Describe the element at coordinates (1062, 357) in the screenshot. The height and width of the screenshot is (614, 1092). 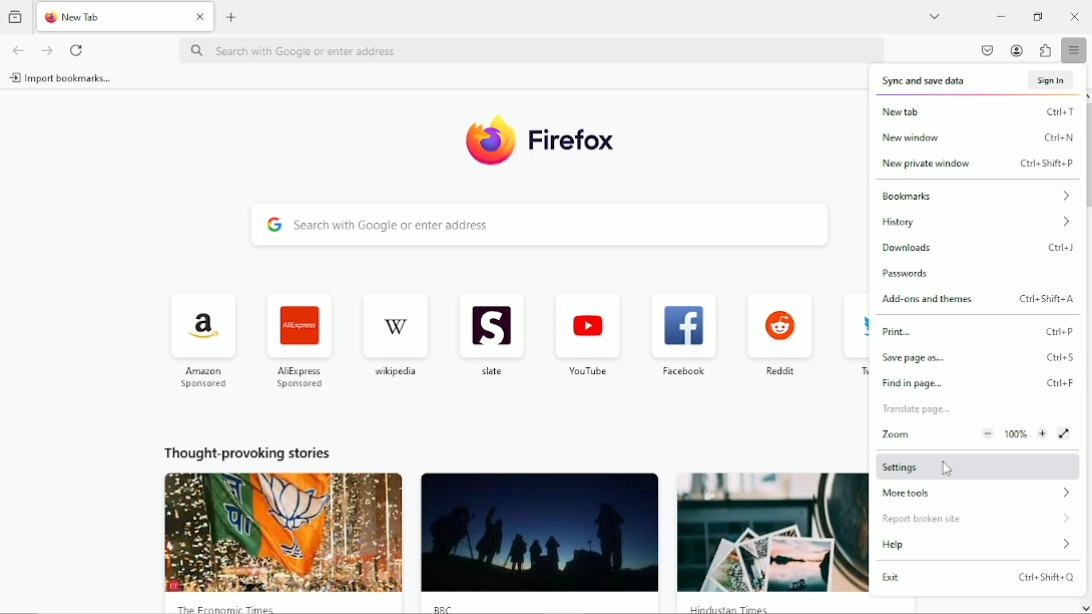
I see `Shortcut keys` at that location.